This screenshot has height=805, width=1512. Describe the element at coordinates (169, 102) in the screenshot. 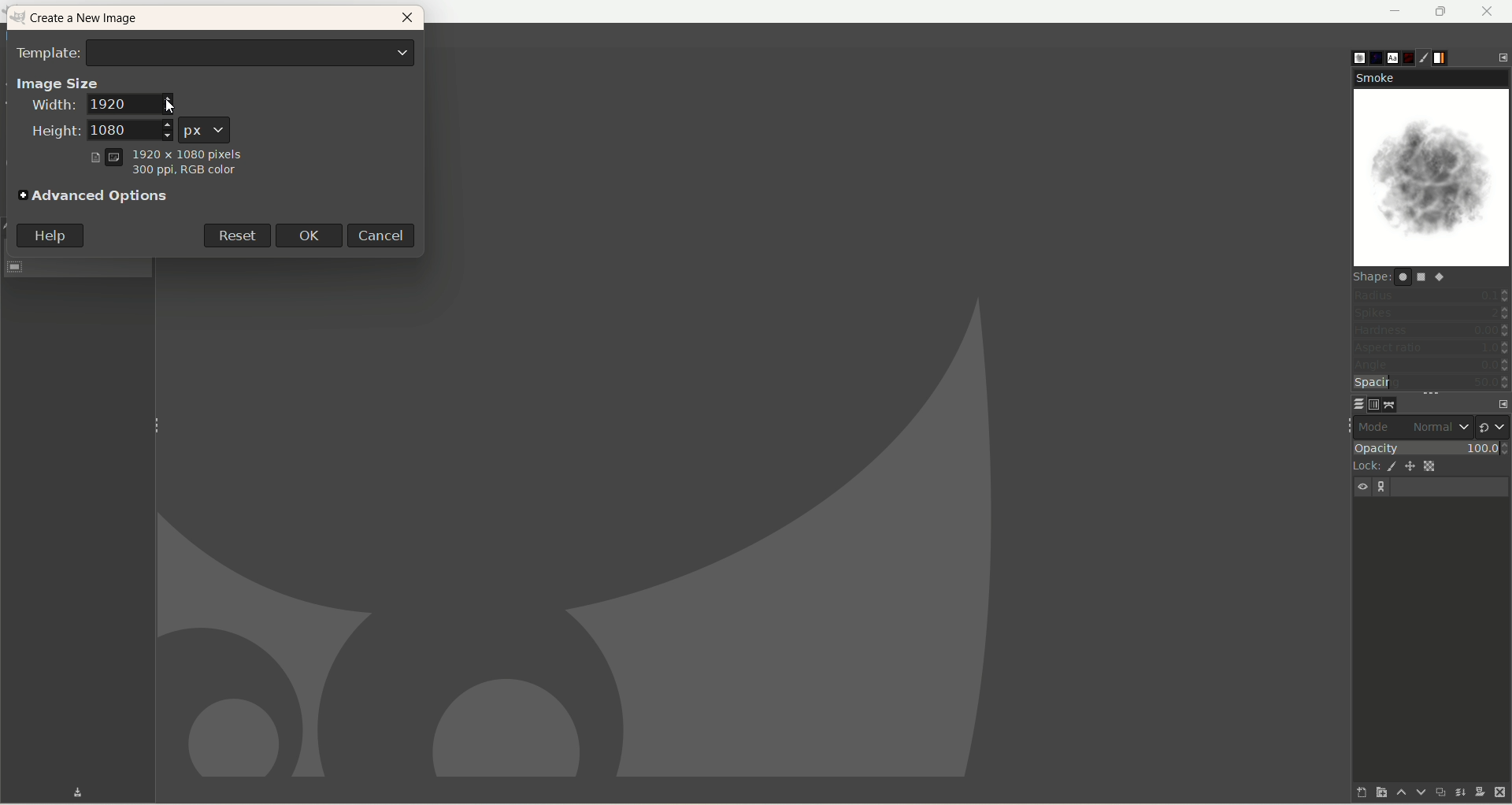

I see `cursor` at that location.